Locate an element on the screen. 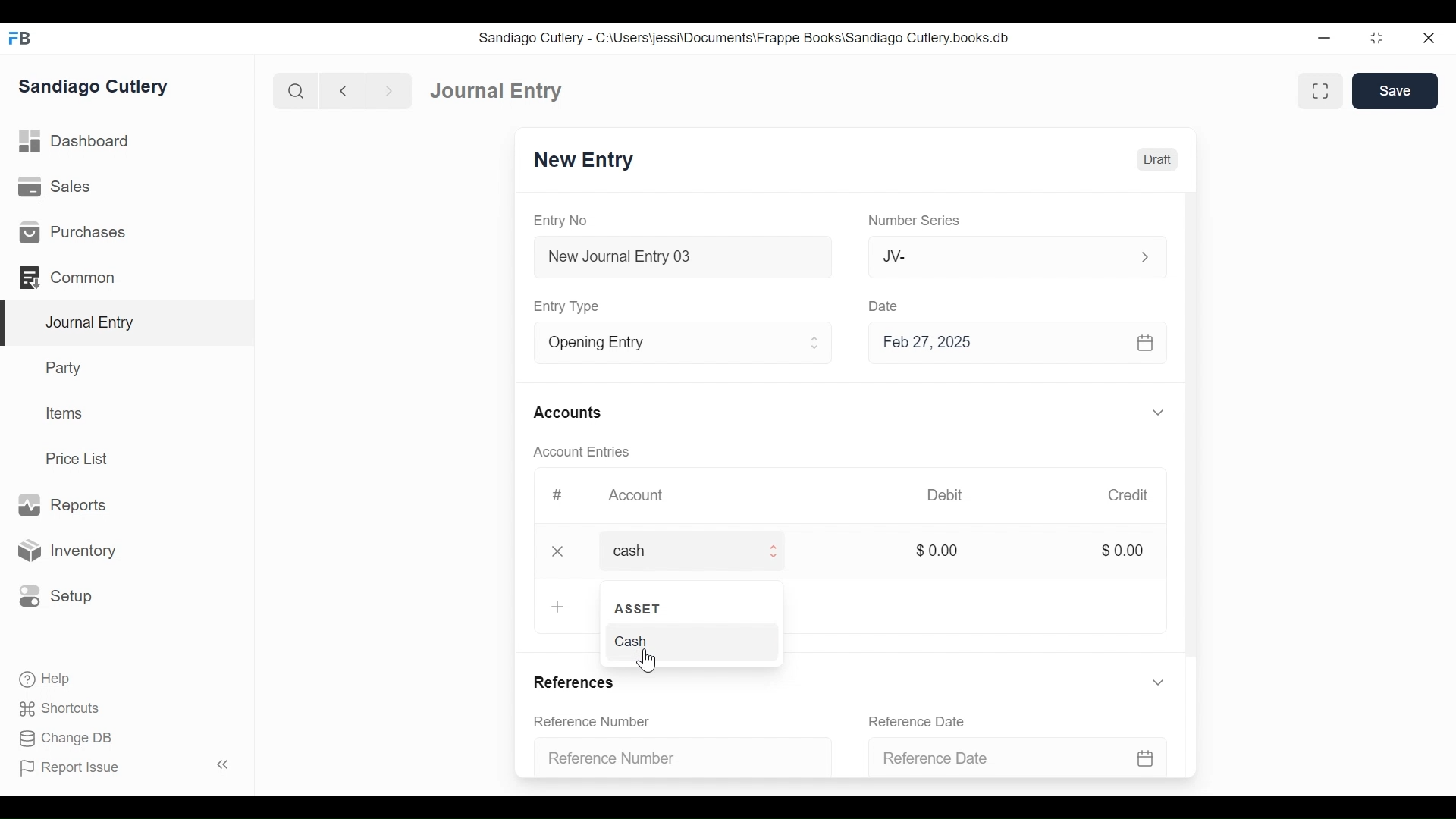  Search is located at coordinates (294, 90).